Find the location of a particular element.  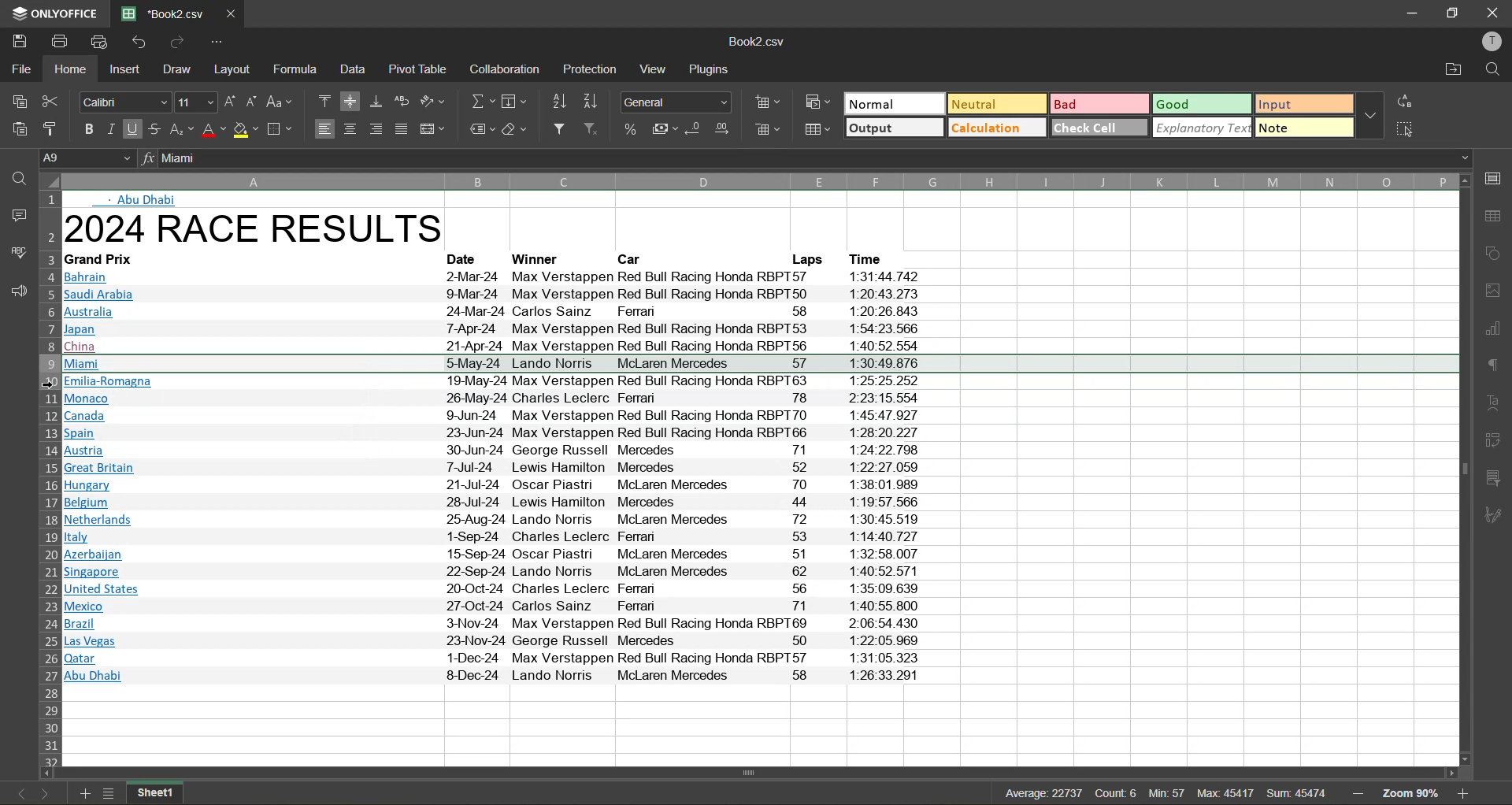

explanatory text is located at coordinates (1202, 128).